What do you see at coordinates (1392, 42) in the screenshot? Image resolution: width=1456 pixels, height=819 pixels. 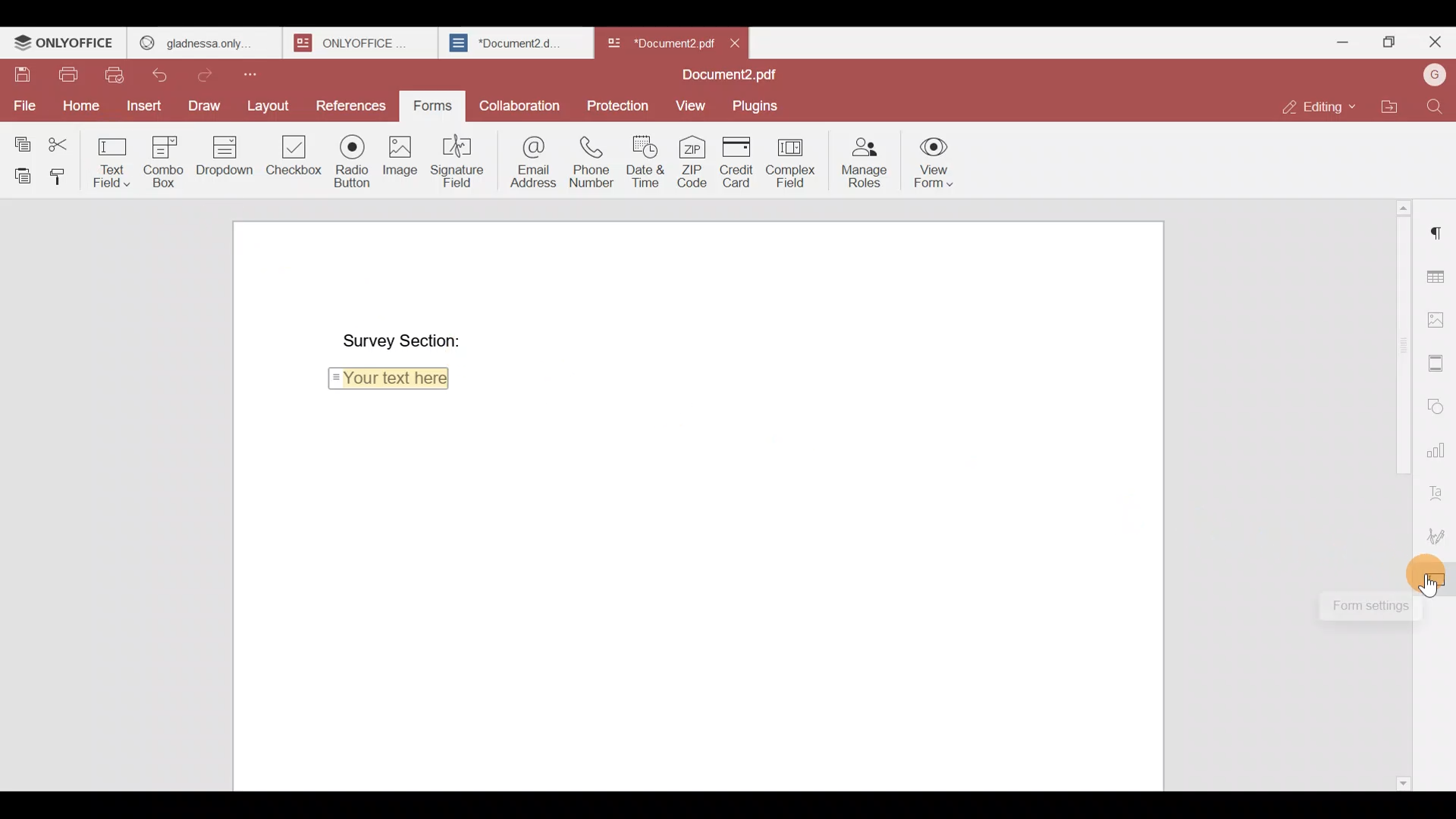 I see `Maximize` at bounding box center [1392, 42].